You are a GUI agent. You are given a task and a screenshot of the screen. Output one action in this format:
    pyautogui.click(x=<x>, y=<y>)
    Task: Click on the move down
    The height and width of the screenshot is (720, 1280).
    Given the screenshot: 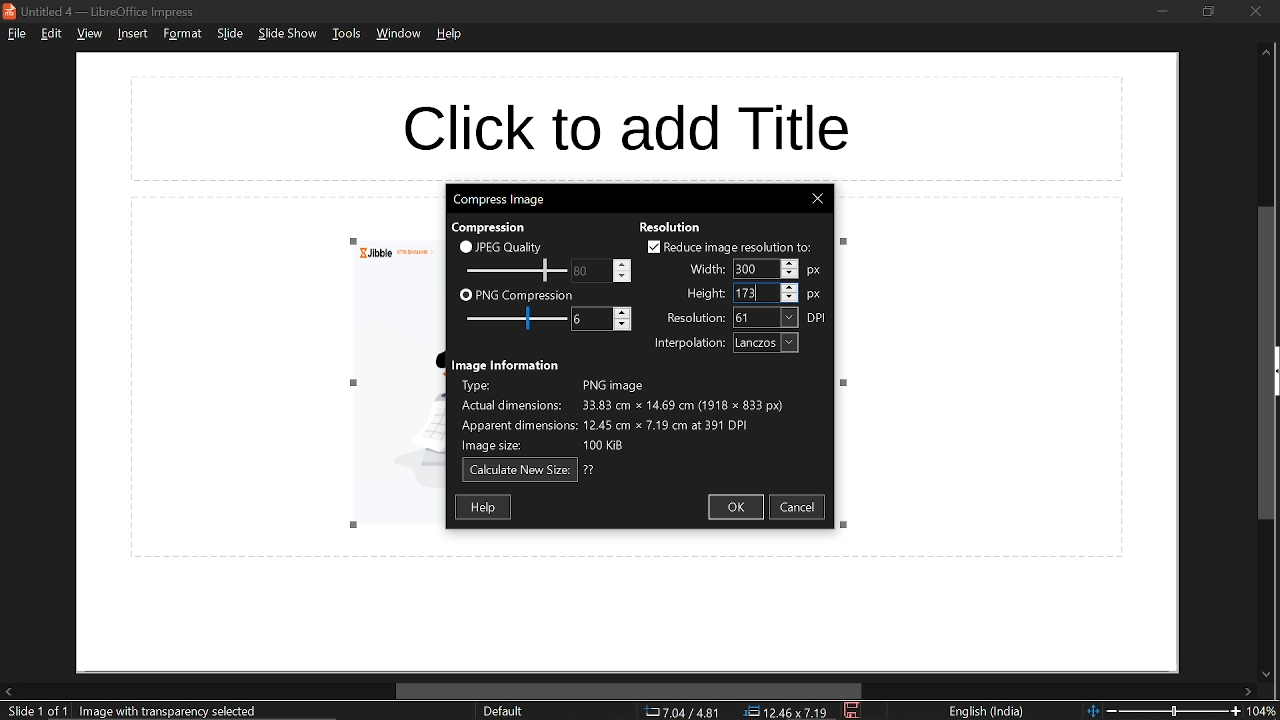 What is the action you would take?
    pyautogui.click(x=1264, y=672)
    